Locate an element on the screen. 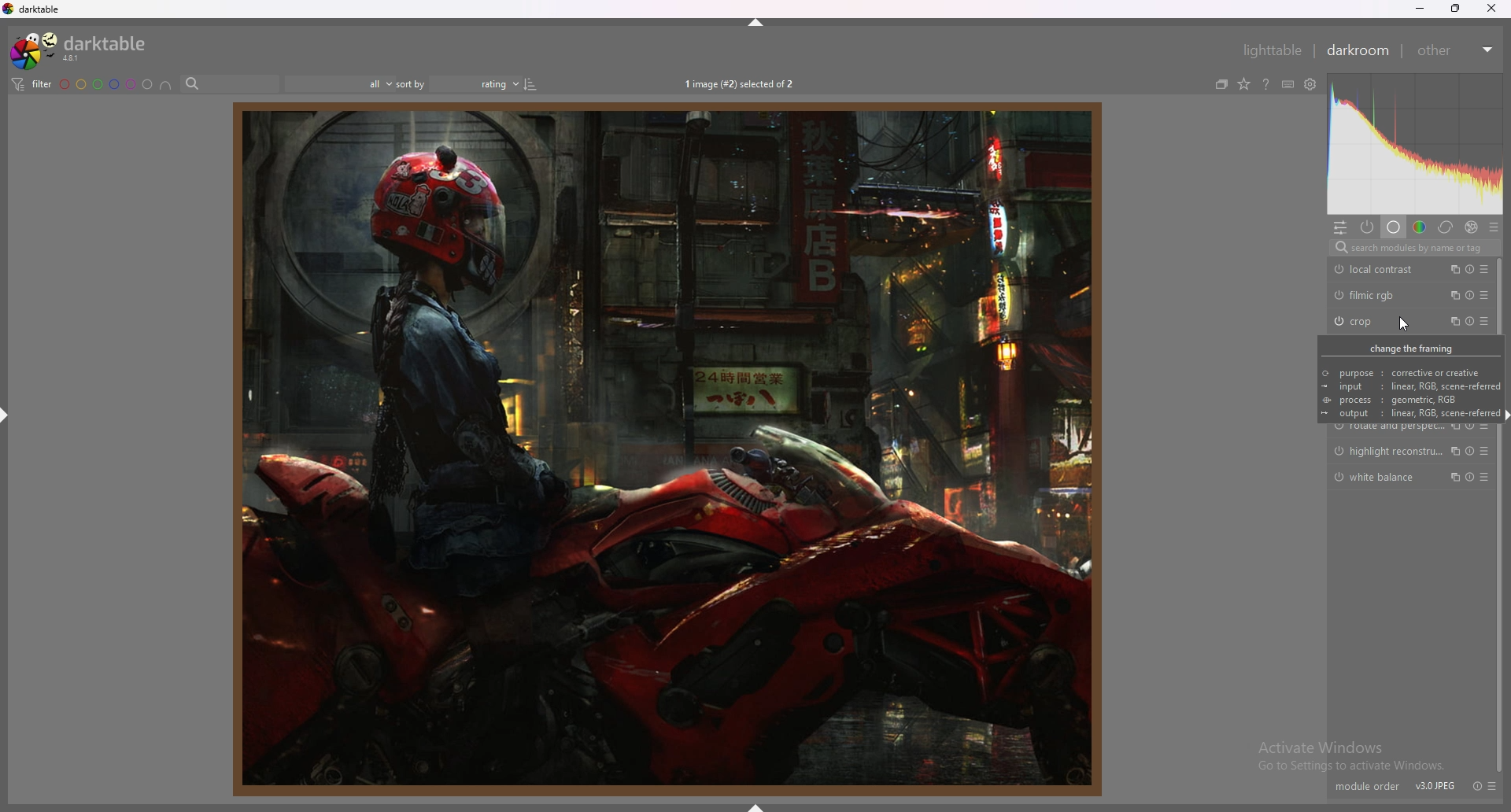 The width and height of the screenshot is (1511, 812). presets is located at coordinates (1484, 295).